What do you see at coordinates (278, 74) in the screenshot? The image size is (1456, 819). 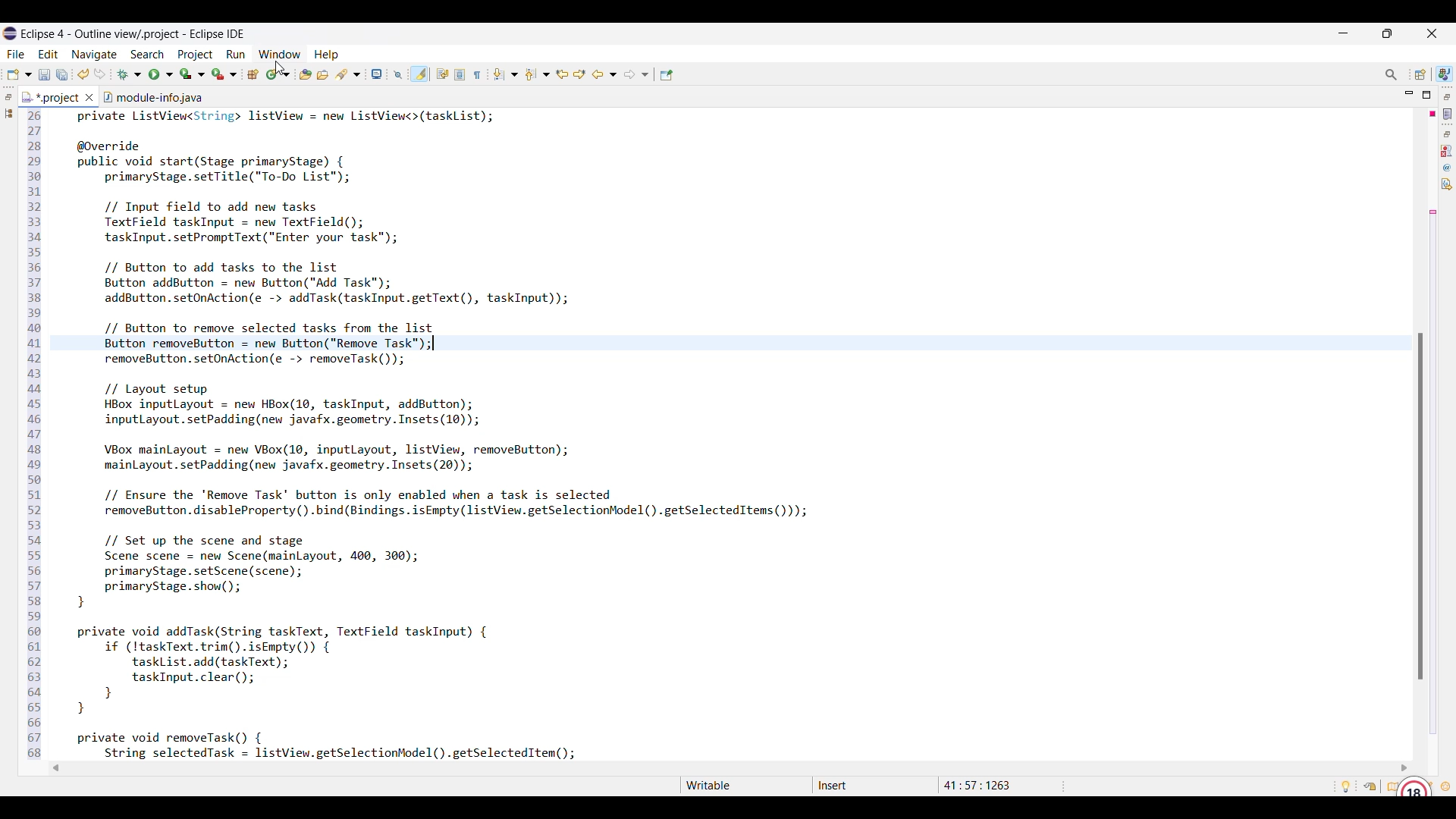 I see `New Java class options` at bounding box center [278, 74].